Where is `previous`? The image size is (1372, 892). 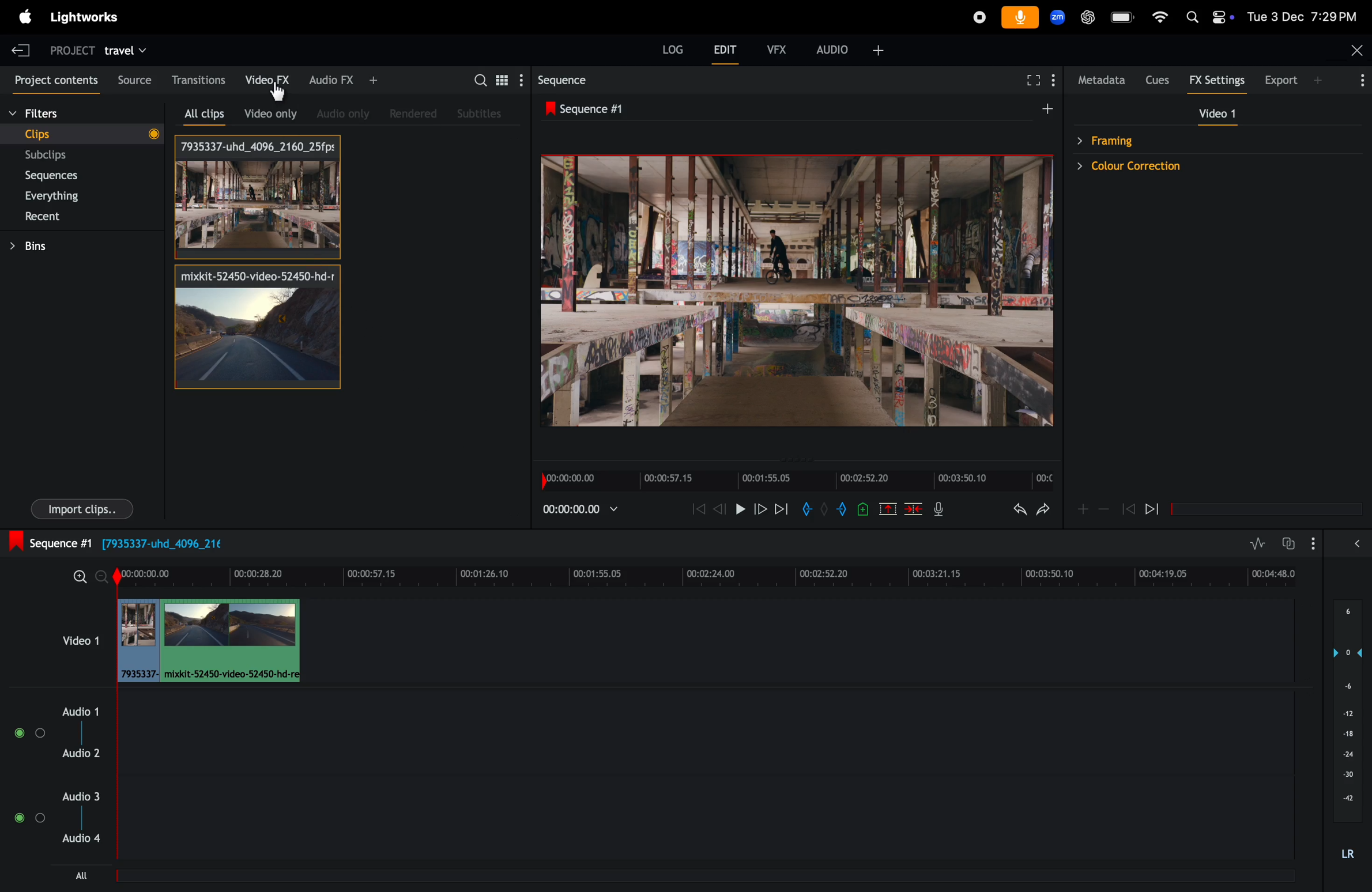
previous is located at coordinates (1128, 508).